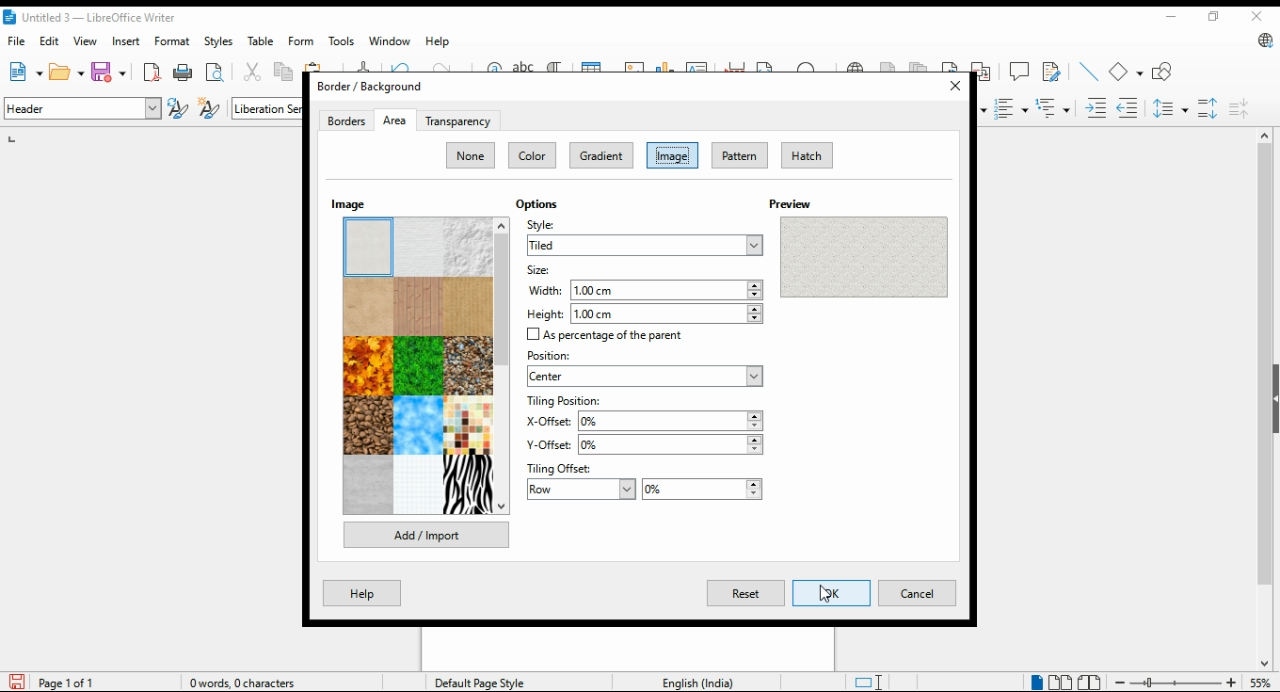  I want to click on zoom factor, so click(1261, 682).